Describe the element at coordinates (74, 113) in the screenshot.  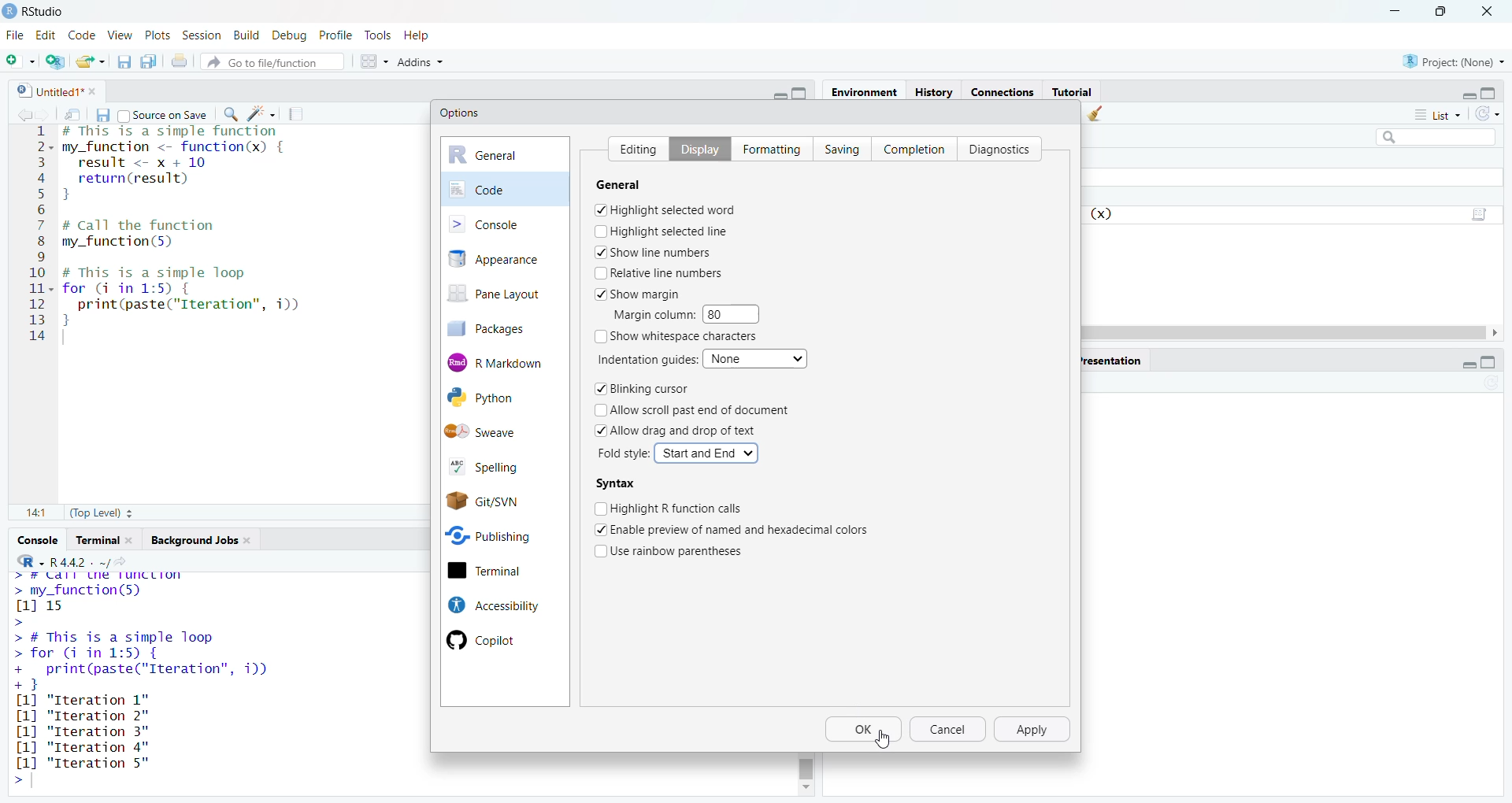
I see `show in new window` at that location.